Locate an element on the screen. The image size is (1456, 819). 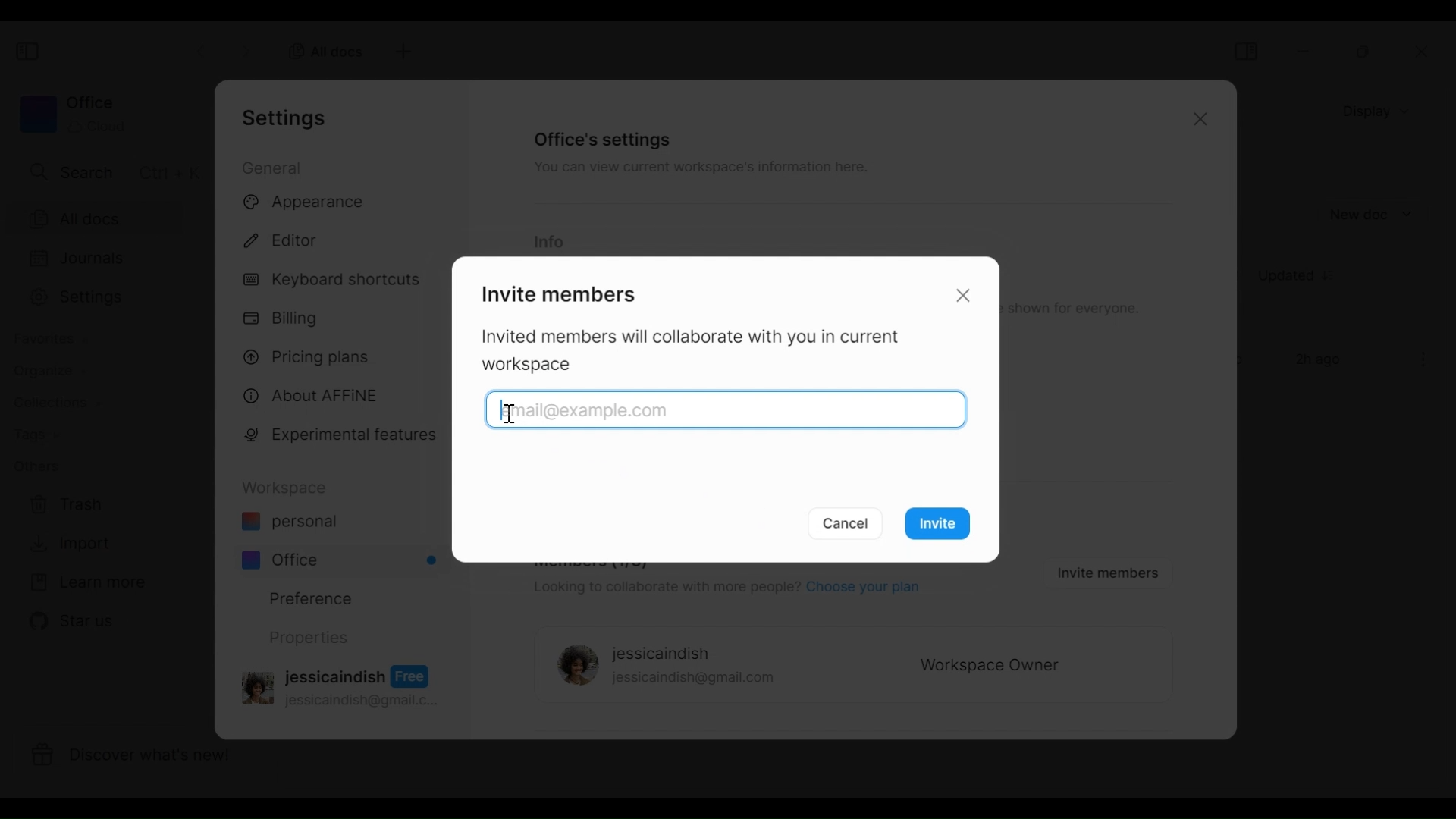
Profile is located at coordinates (573, 667).